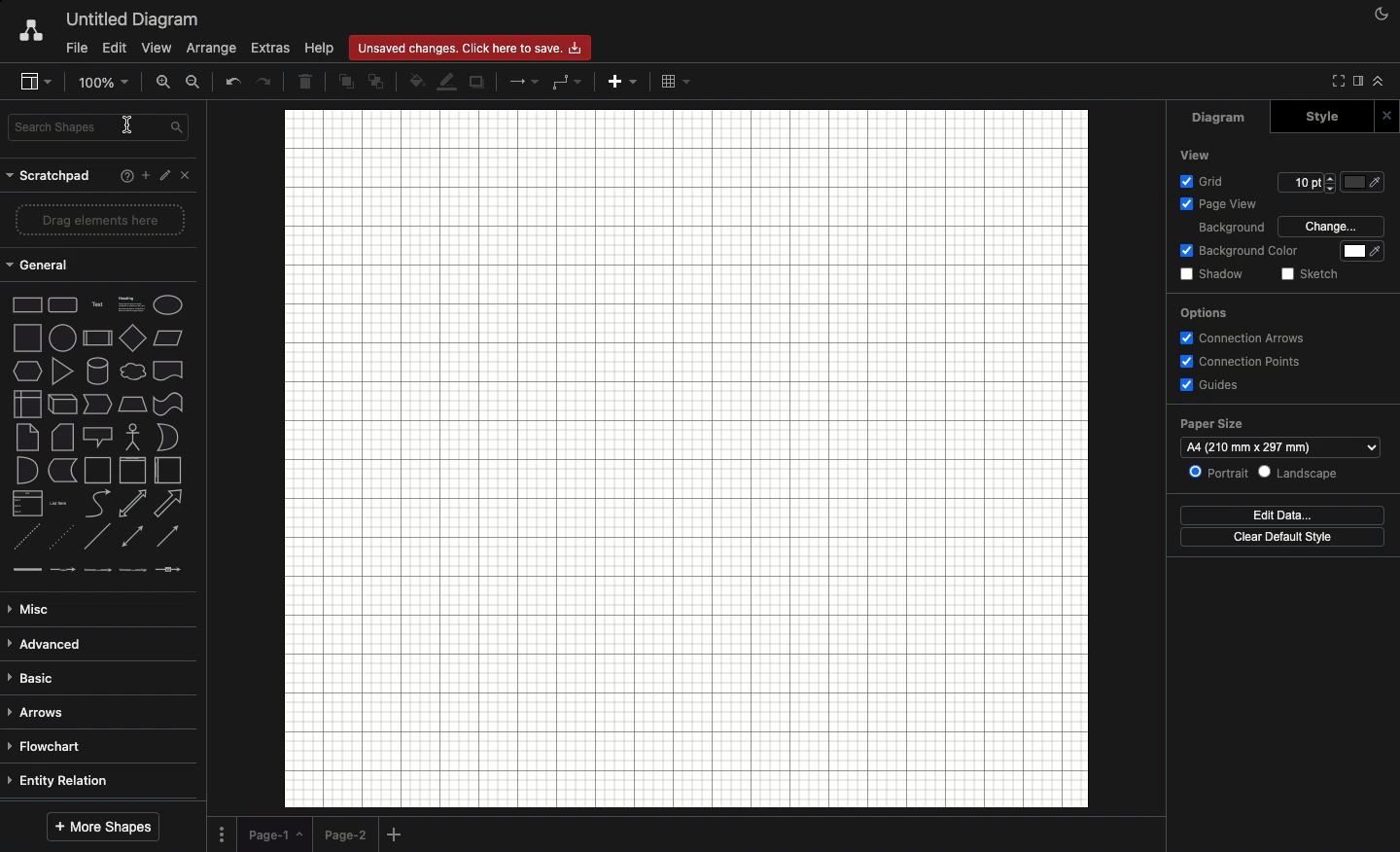 The image size is (1400, 852). What do you see at coordinates (102, 127) in the screenshot?
I see `Search shapes` at bounding box center [102, 127].